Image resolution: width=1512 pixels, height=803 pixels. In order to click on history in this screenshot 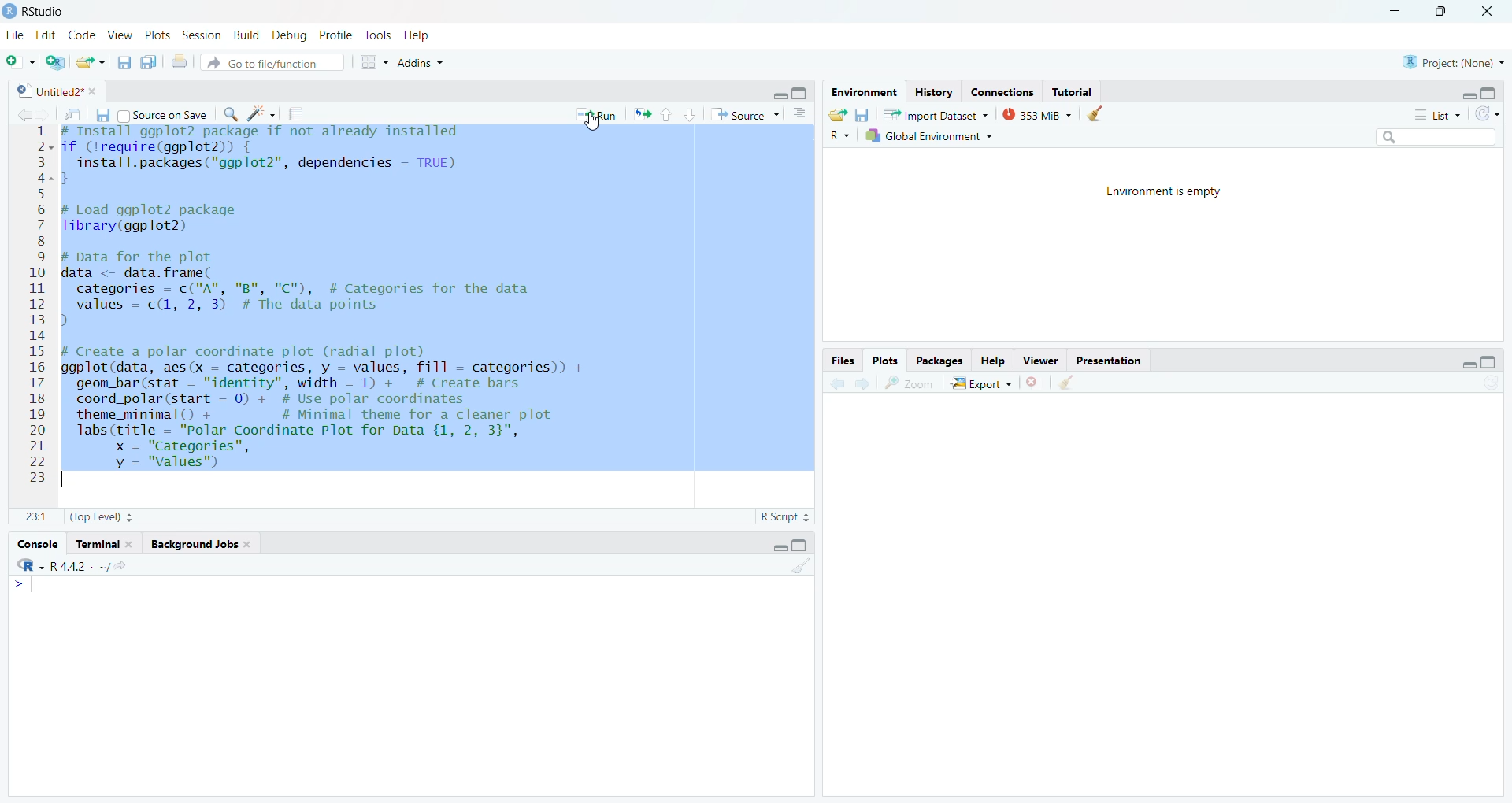, I will do `click(934, 91)`.